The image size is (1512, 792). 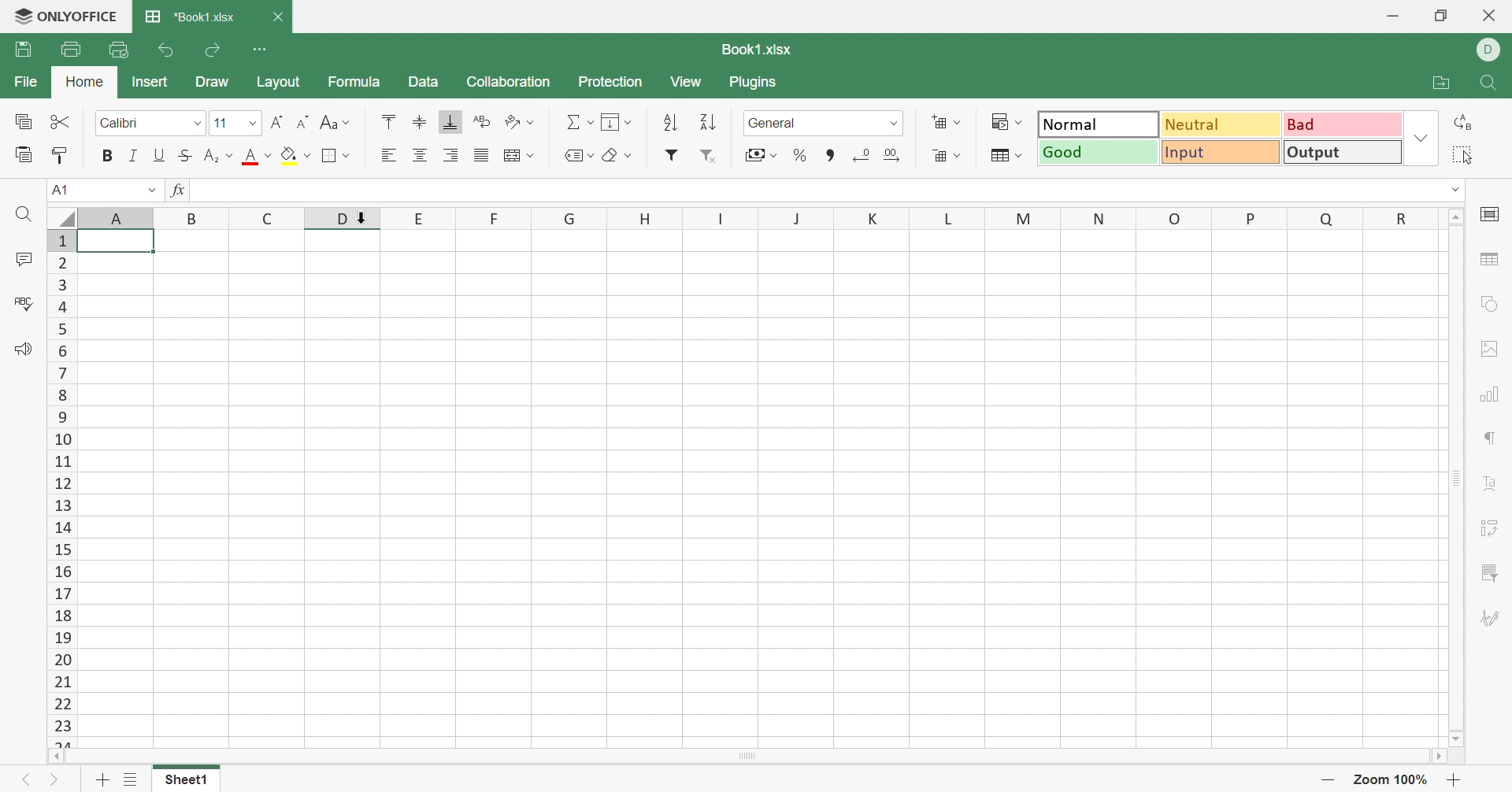 I want to click on Find, so click(x=1492, y=83).